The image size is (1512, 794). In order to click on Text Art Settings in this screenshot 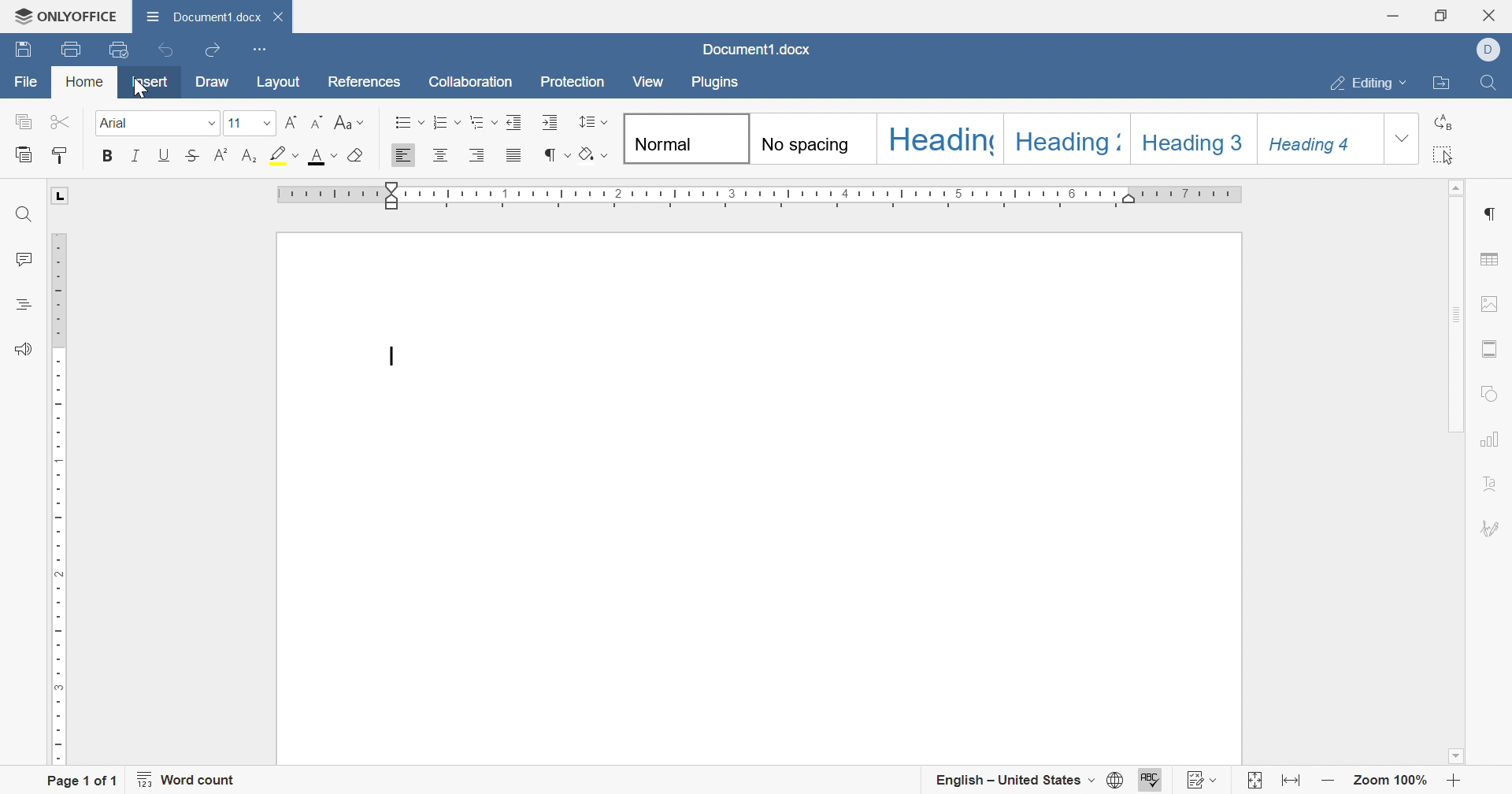, I will do `click(1496, 483)`.